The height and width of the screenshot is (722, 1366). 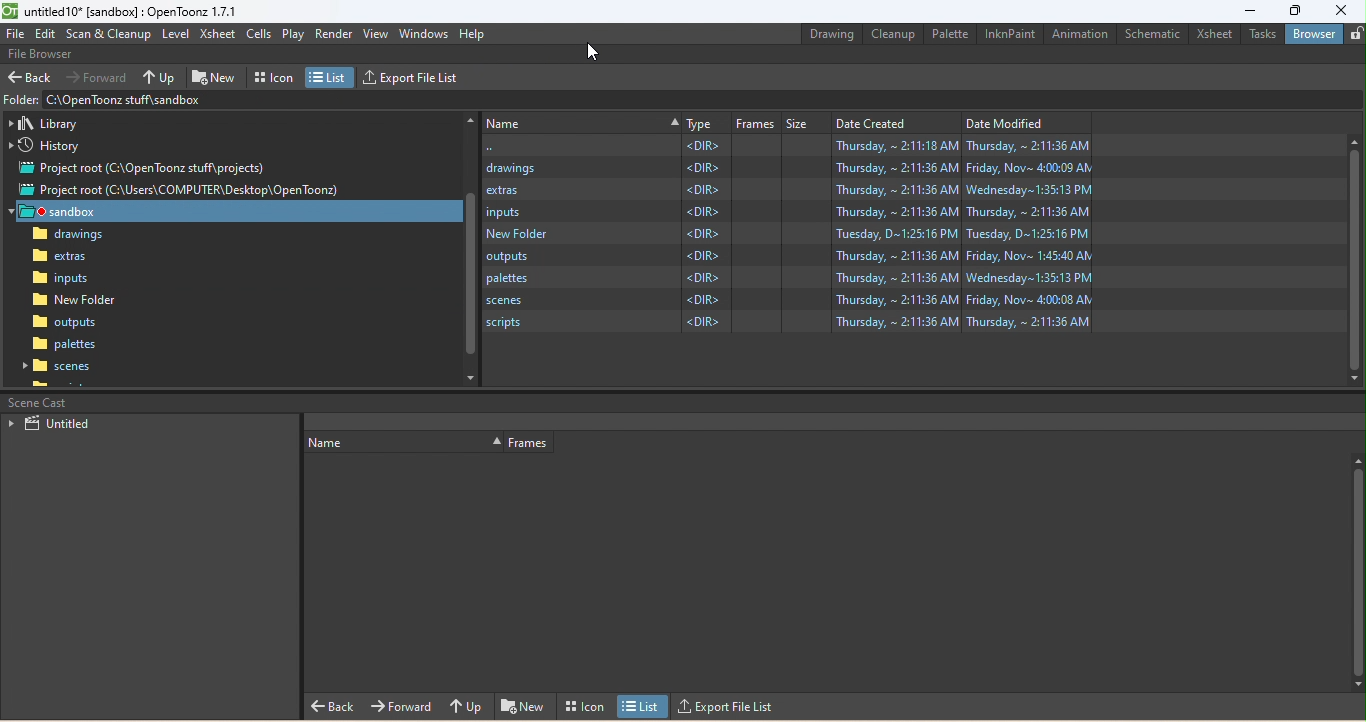 I want to click on drawings, so click(x=68, y=235).